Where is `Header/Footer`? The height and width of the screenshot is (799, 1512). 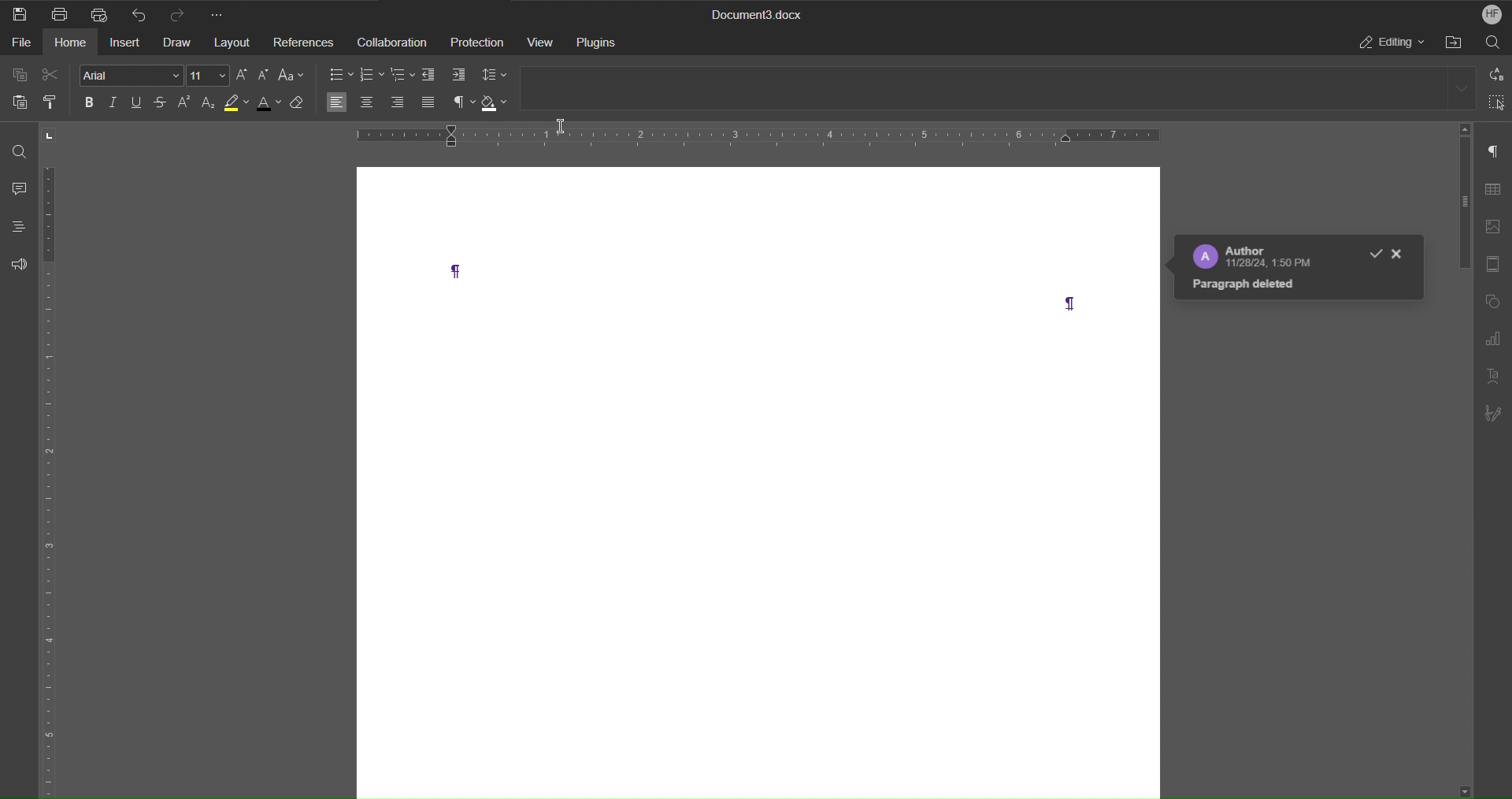 Header/Footer is located at coordinates (1495, 262).